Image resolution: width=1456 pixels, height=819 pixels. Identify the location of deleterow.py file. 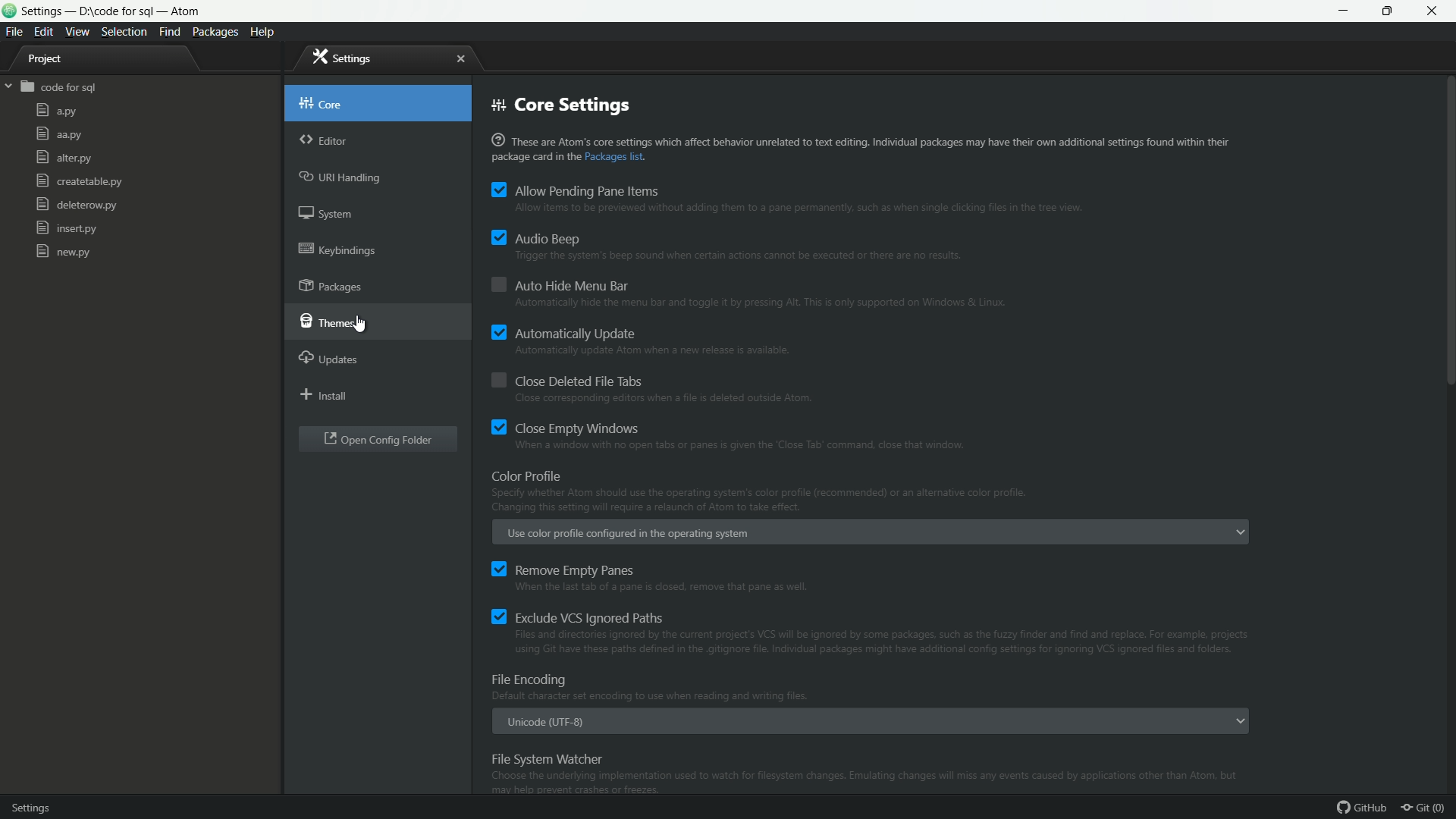
(76, 206).